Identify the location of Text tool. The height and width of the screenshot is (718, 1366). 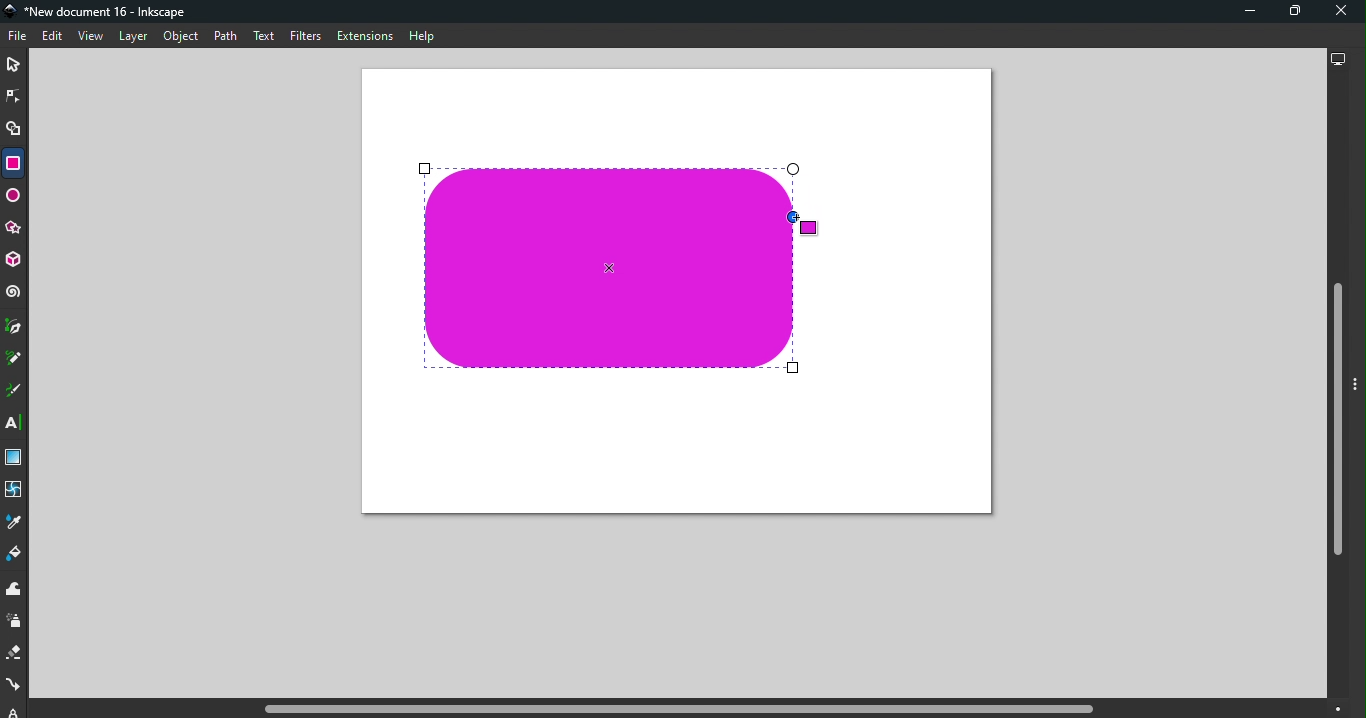
(16, 423).